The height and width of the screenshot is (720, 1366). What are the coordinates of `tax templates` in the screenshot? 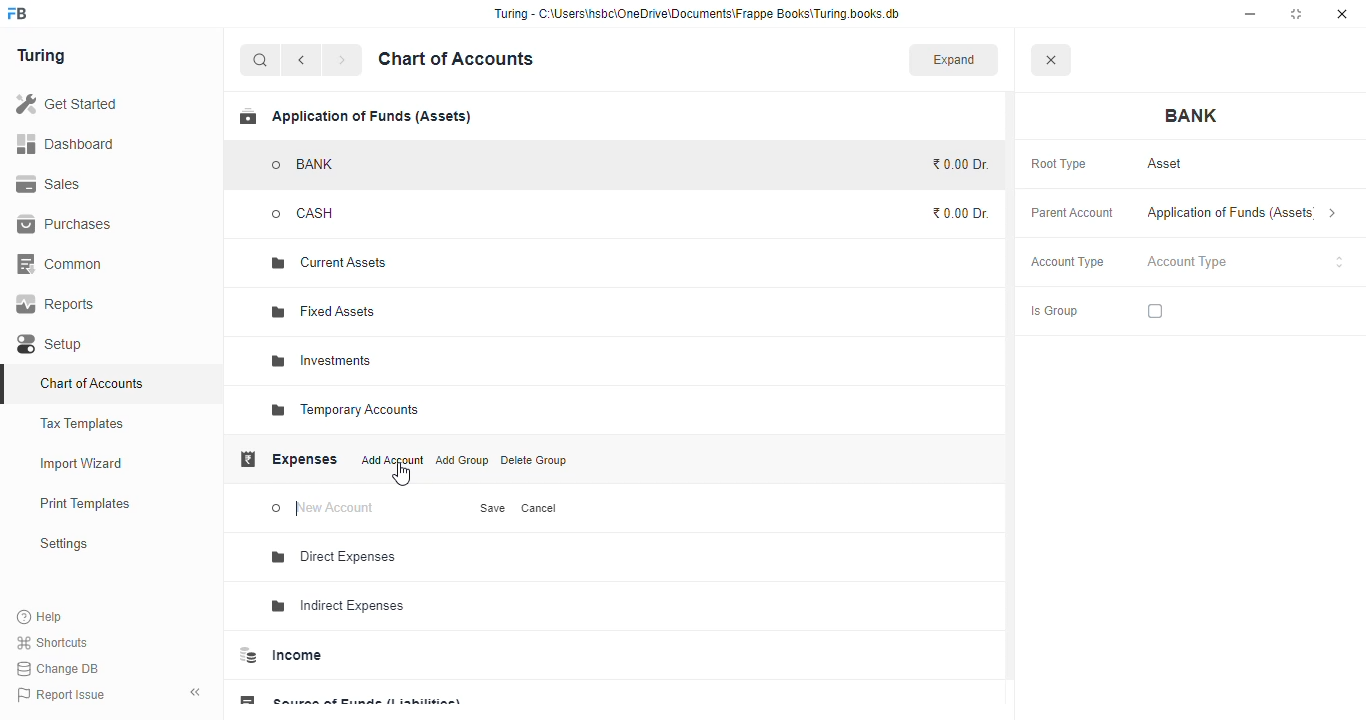 It's located at (83, 423).